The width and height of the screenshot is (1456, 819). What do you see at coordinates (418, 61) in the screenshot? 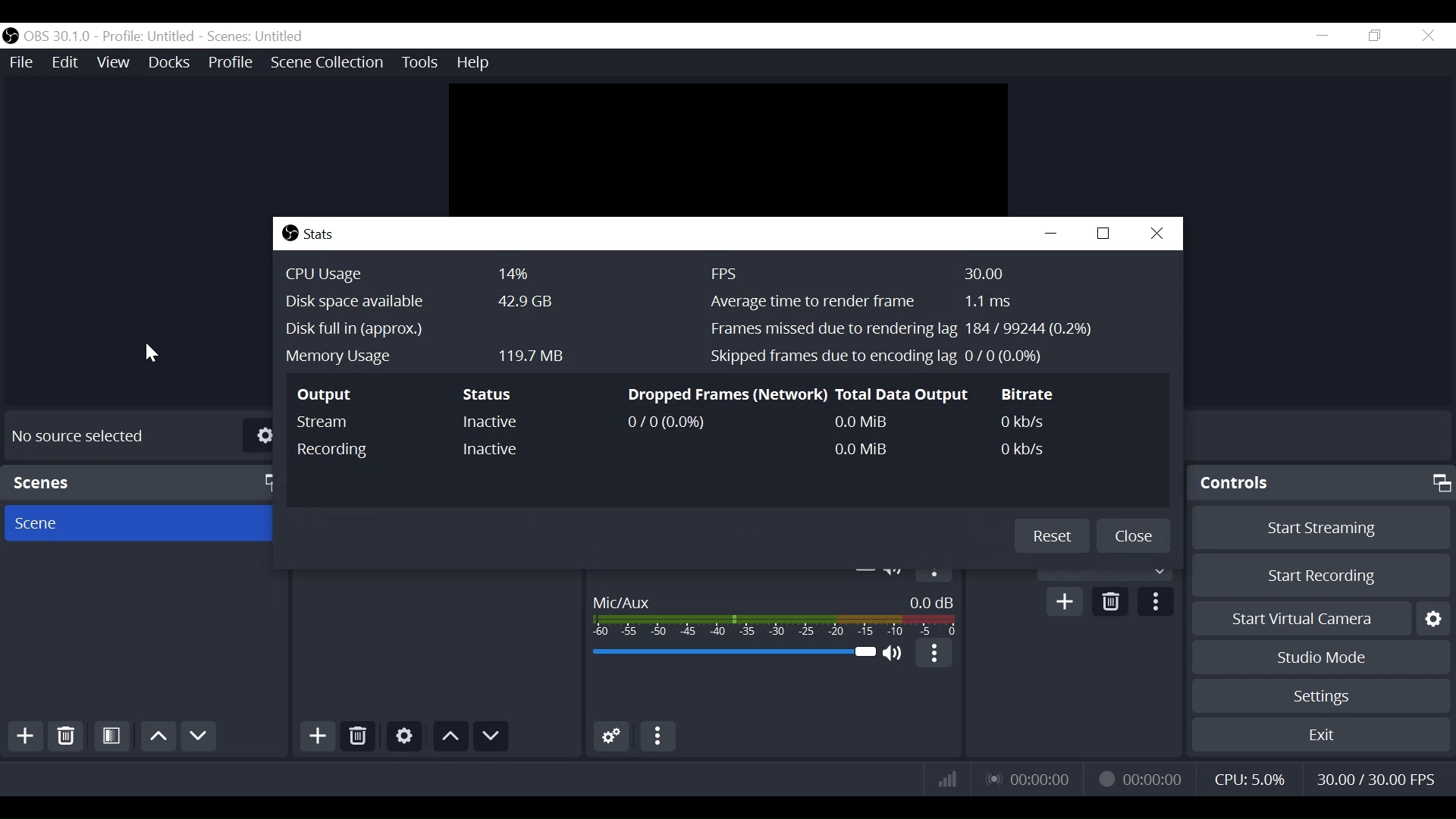
I see `Tools` at bounding box center [418, 61].